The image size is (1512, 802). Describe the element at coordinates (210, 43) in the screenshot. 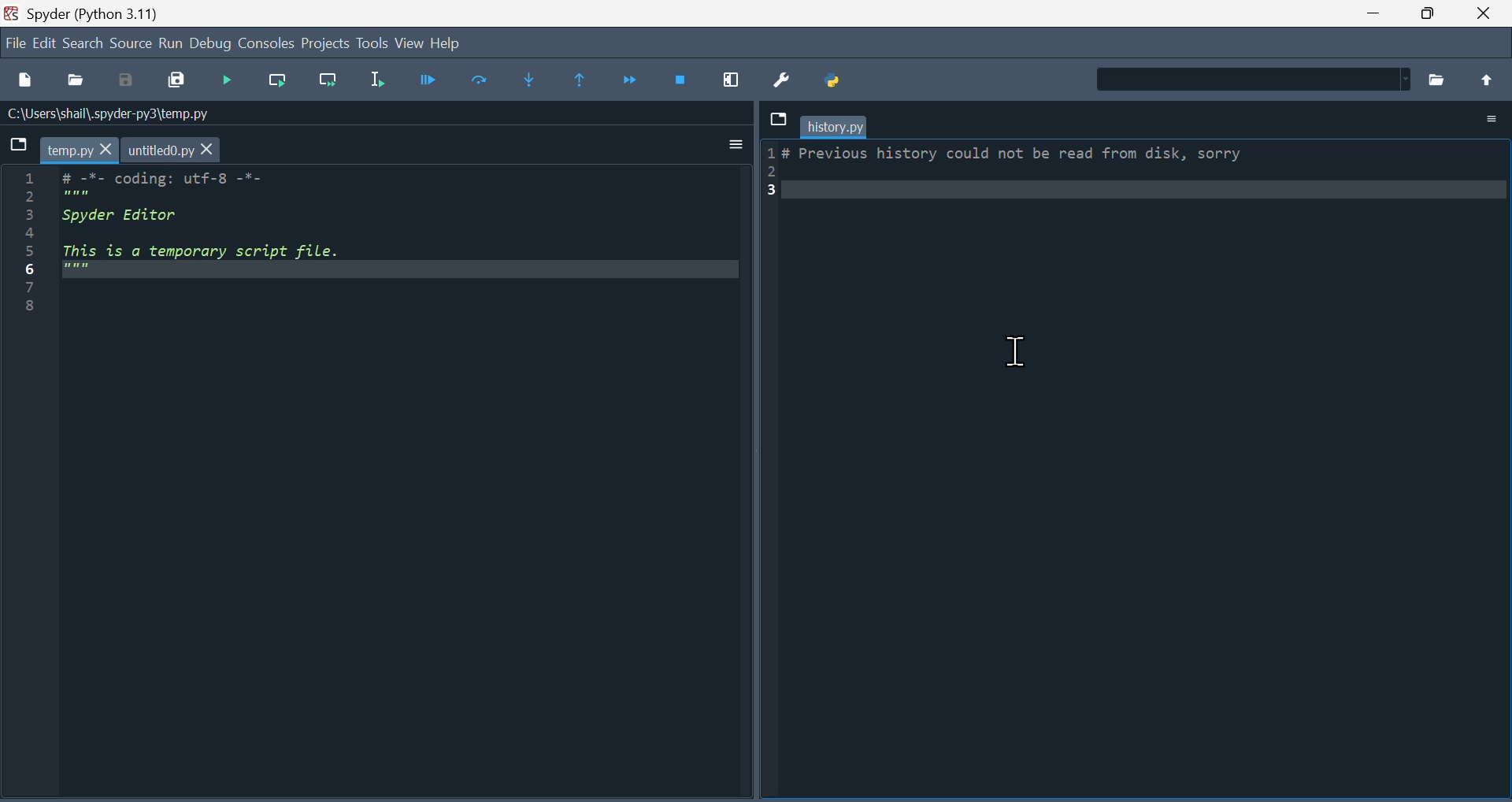

I see `Debug` at that location.